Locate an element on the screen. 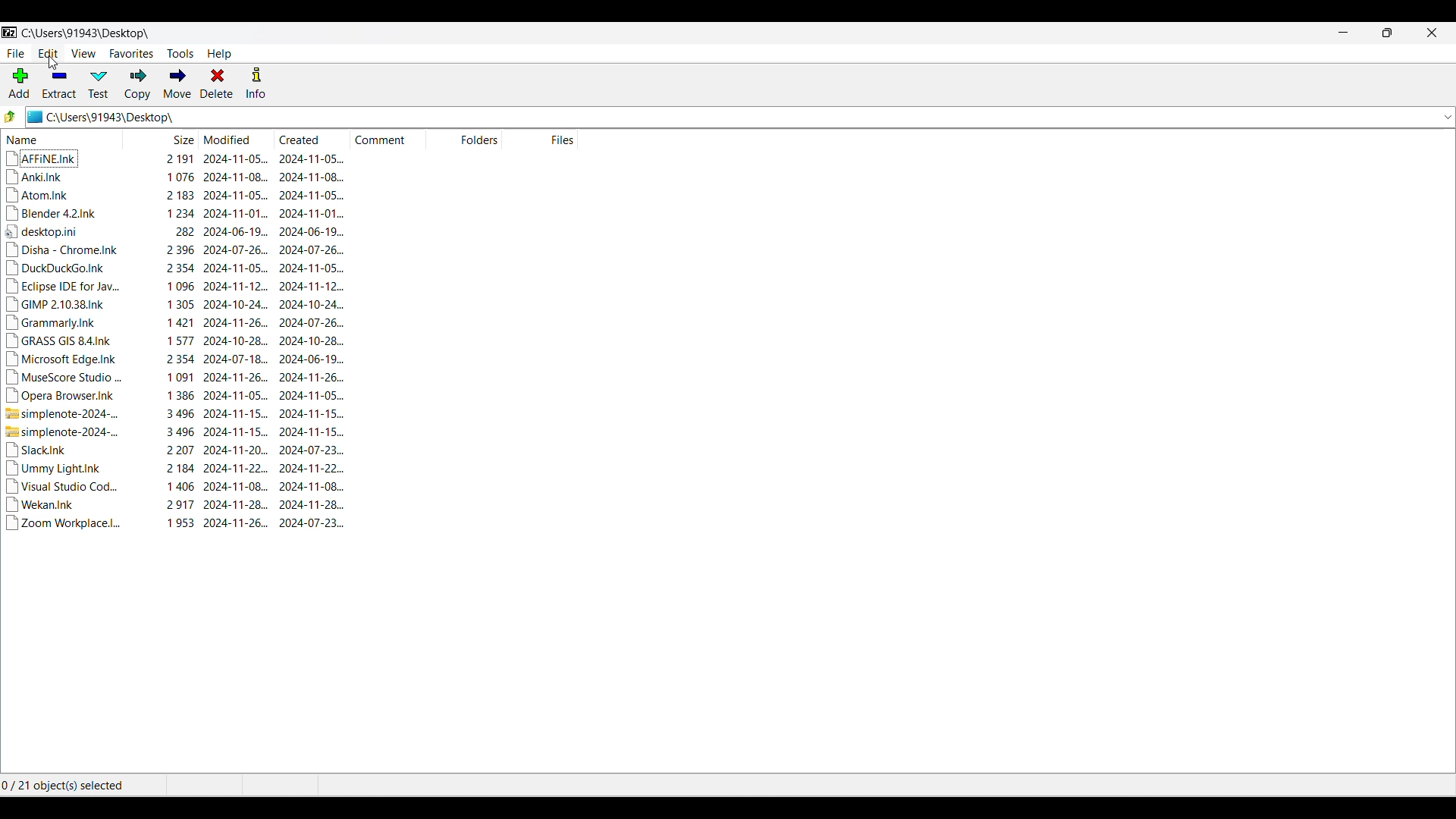 This screenshot has width=1456, height=819. Info is located at coordinates (256, 83).